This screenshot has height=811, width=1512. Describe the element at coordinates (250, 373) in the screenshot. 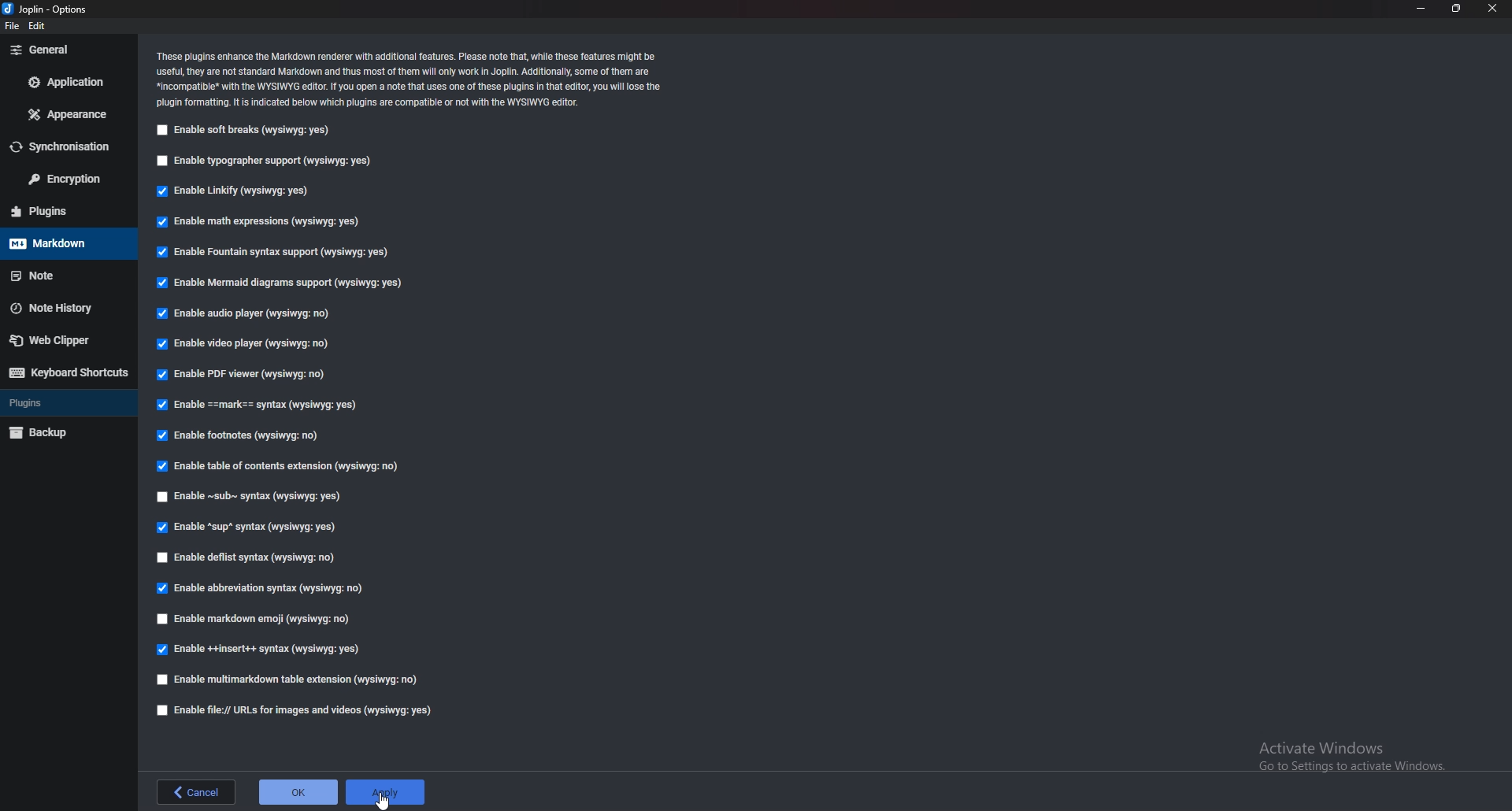

I see `Enable P D F viewer` at that location.